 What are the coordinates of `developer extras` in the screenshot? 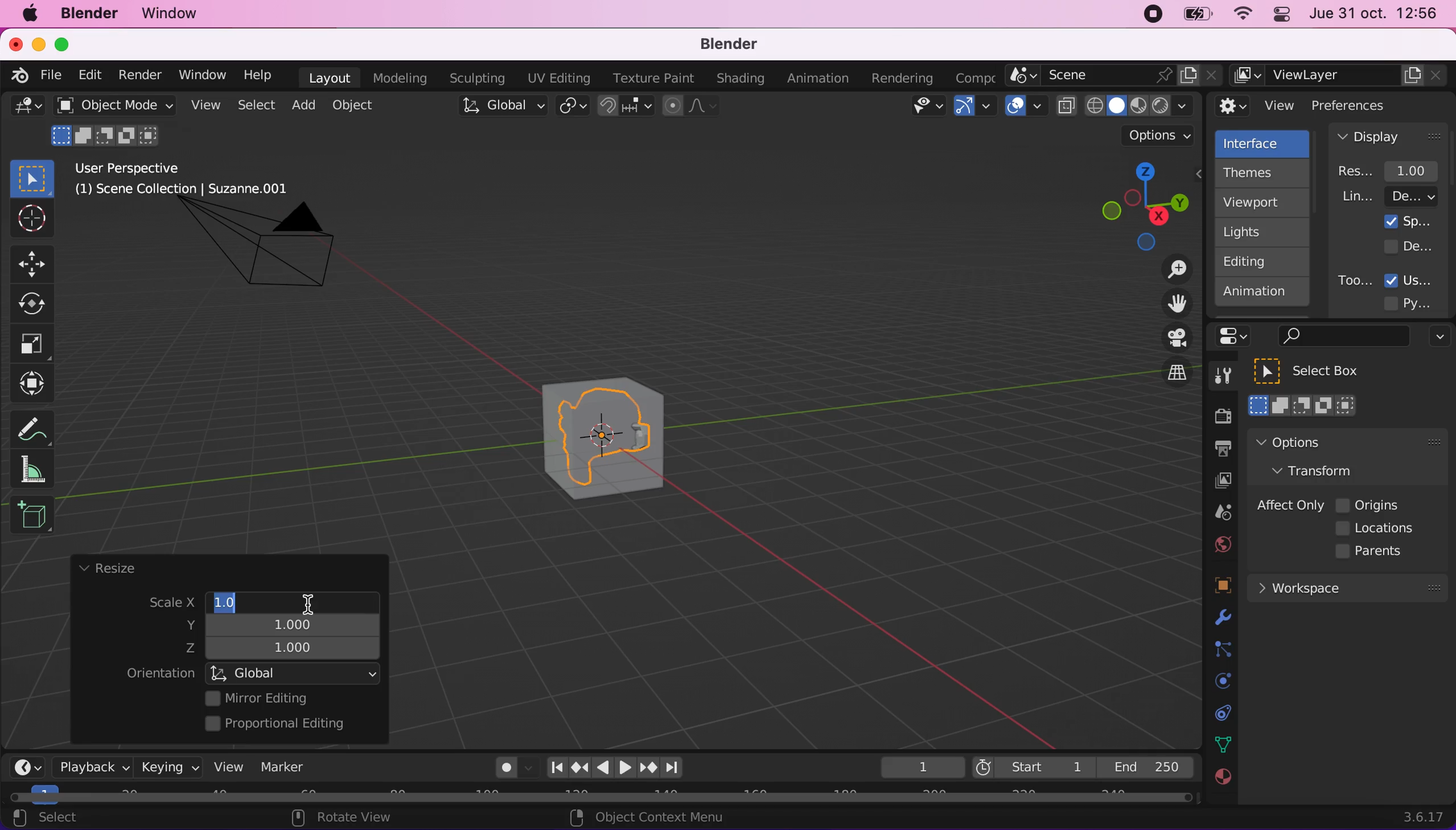 It's located at (1410, 246).